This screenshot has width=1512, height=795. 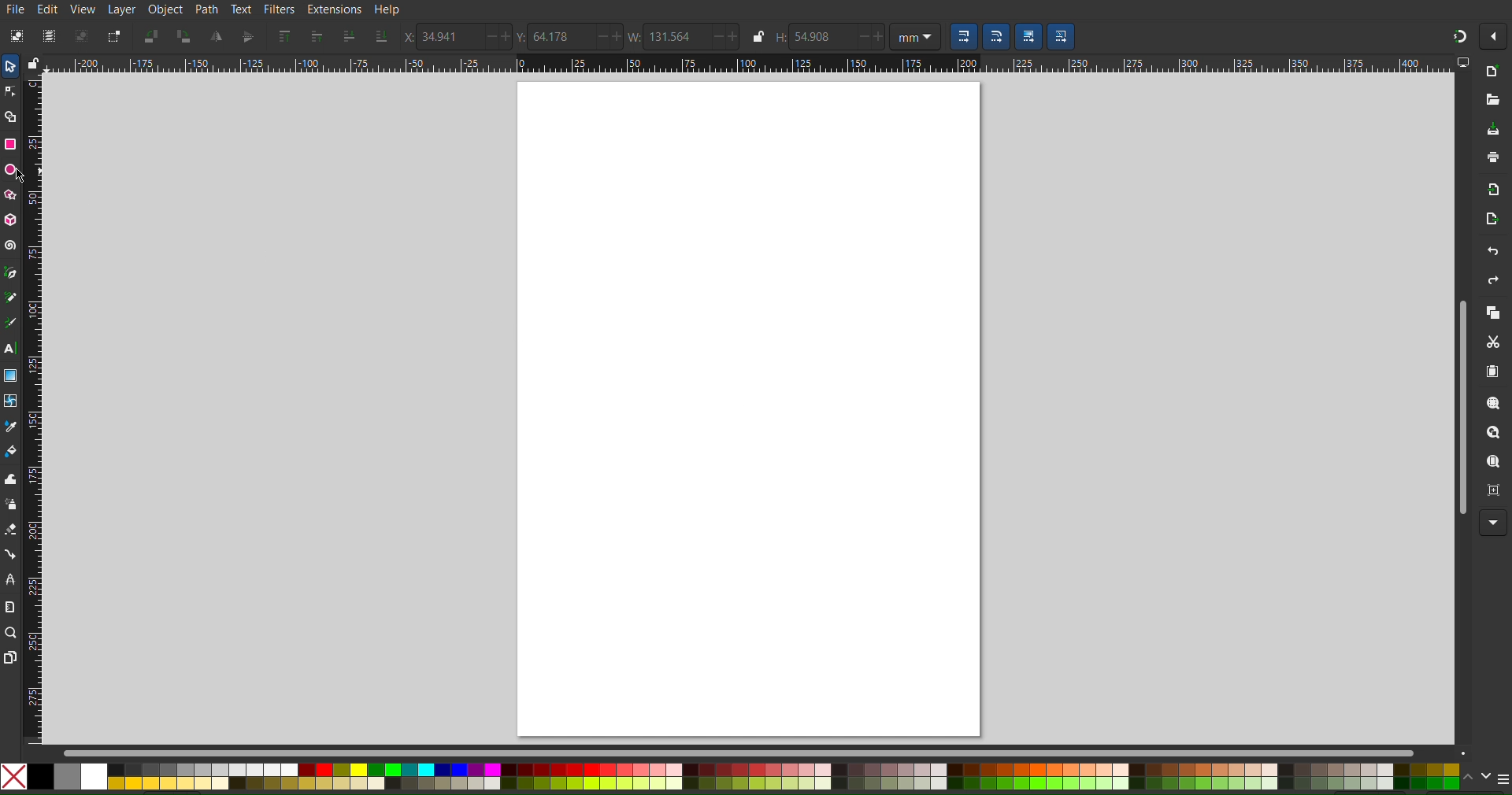 What do you see at coordinates (1492, 433) in the screenshot?
I see `Zoom Drawing` at bounding box center [1492, 433].